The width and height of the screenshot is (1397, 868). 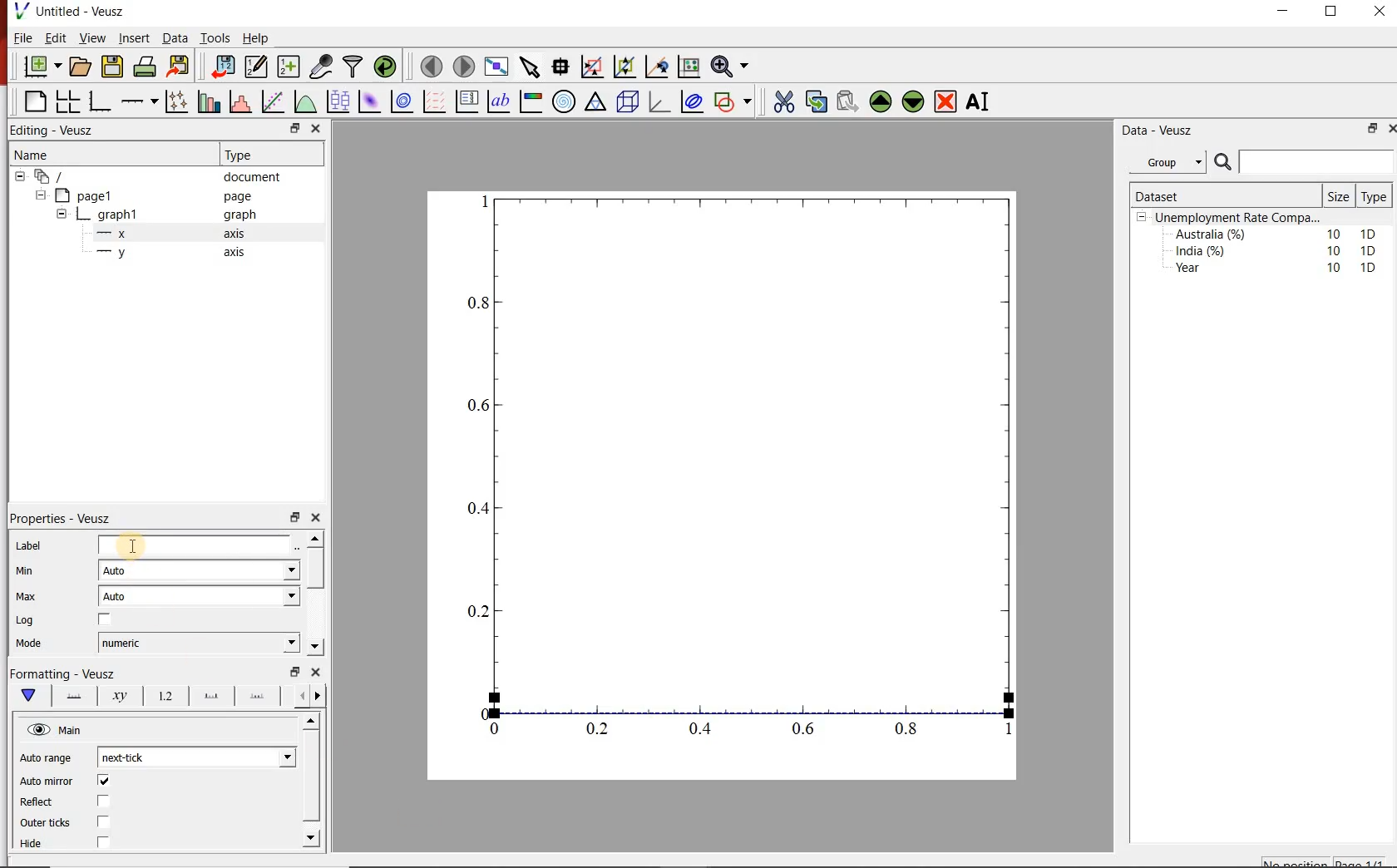 I want to click on close, so click(x=317, y=128).